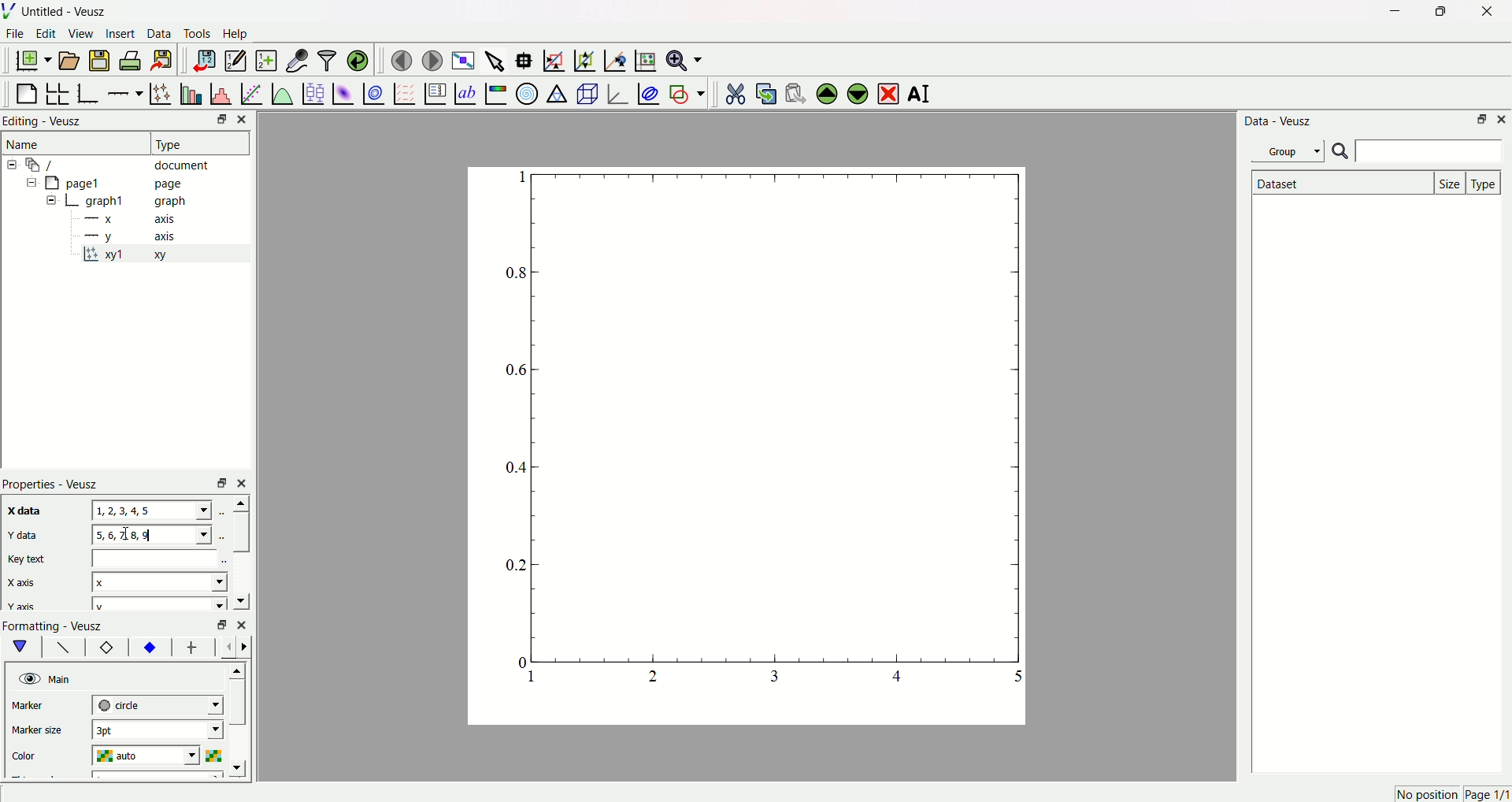 This screenshot has height=802, width=1512. What do you see at coordinates (135, 236) in the screenshot?
I see `y axis` at bounding box center [135, 236].